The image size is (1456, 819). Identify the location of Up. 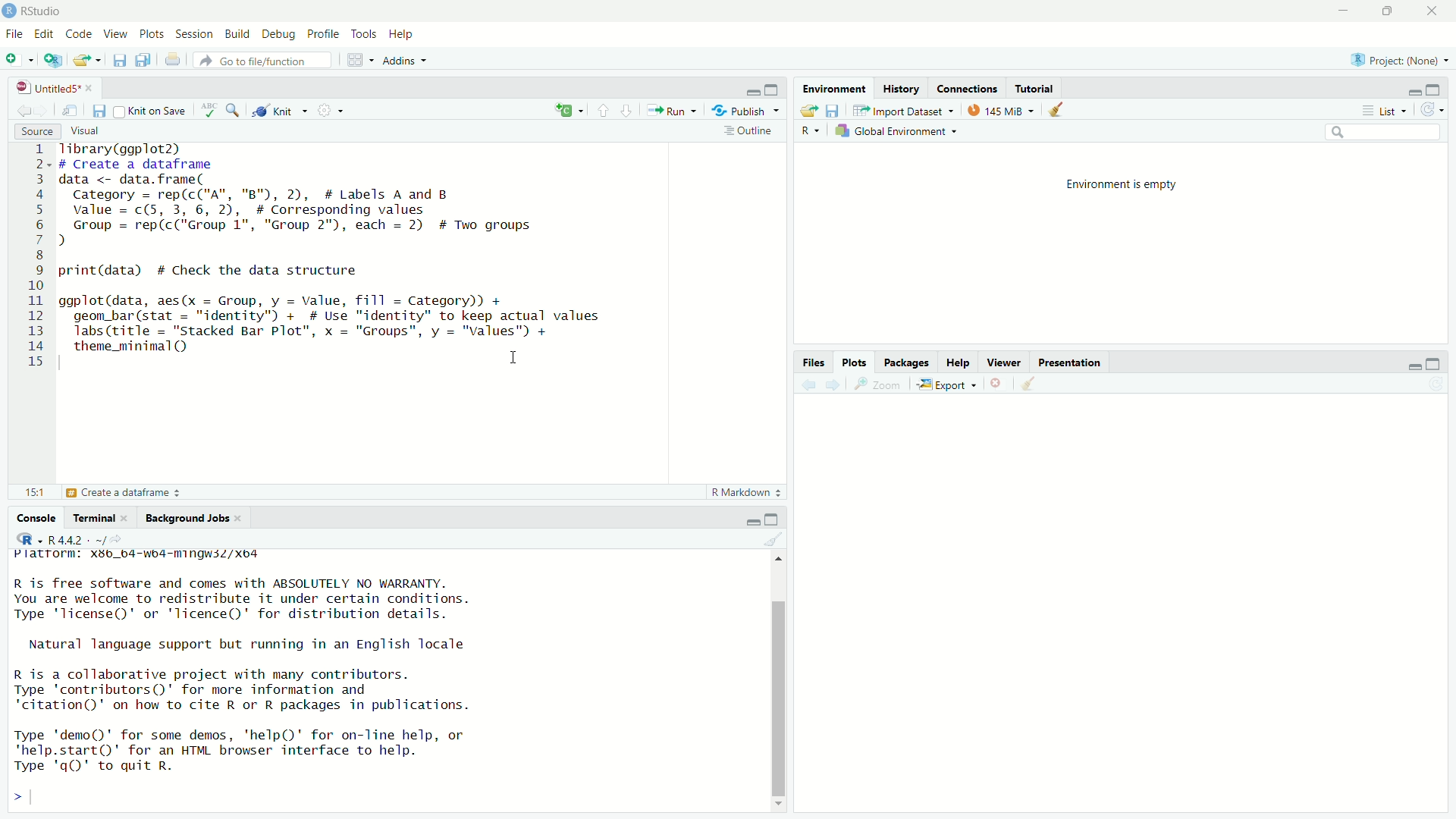
(780, 557).